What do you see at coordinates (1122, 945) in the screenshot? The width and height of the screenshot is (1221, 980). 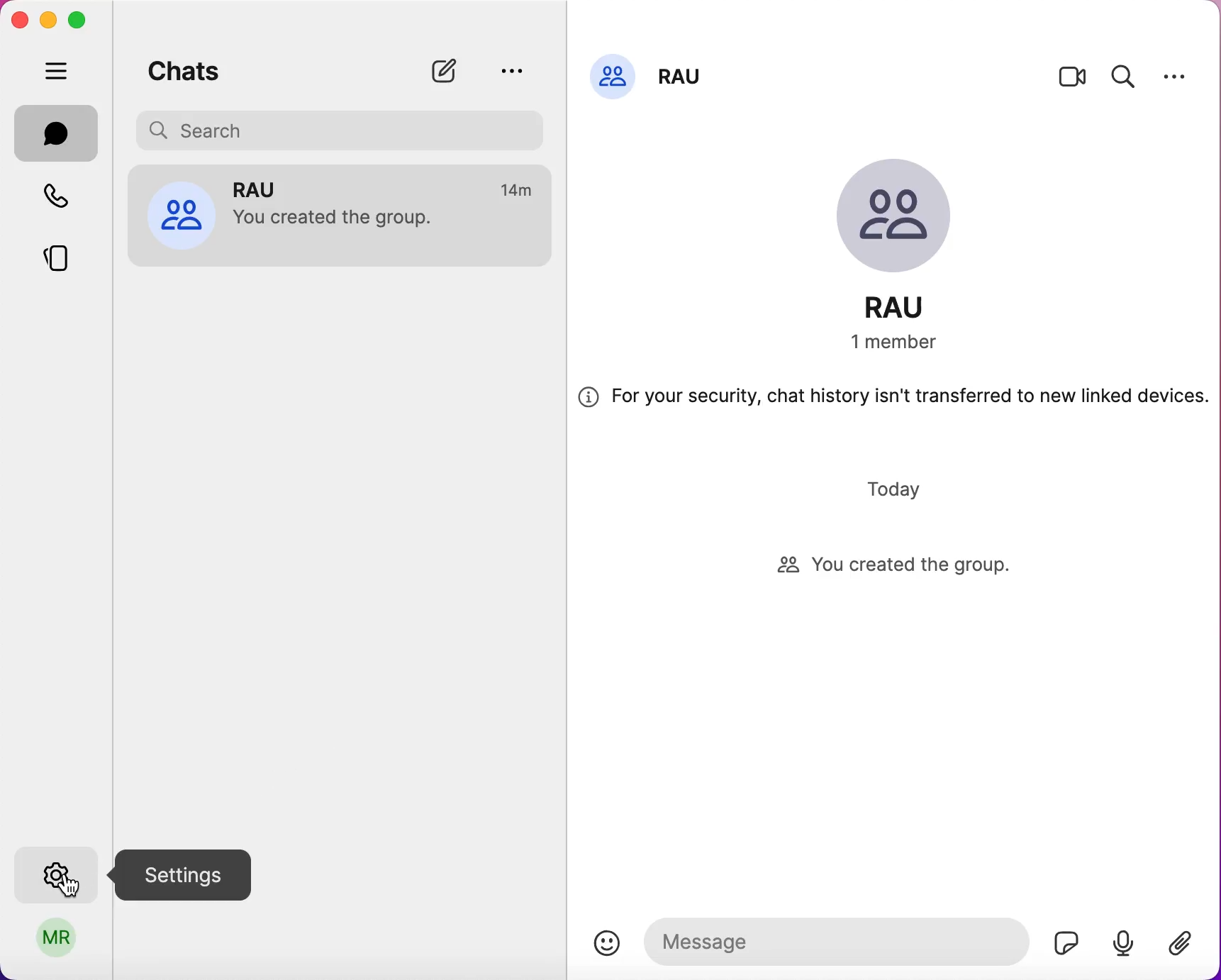 I see `record audio` at bounding box center [1122, 945].